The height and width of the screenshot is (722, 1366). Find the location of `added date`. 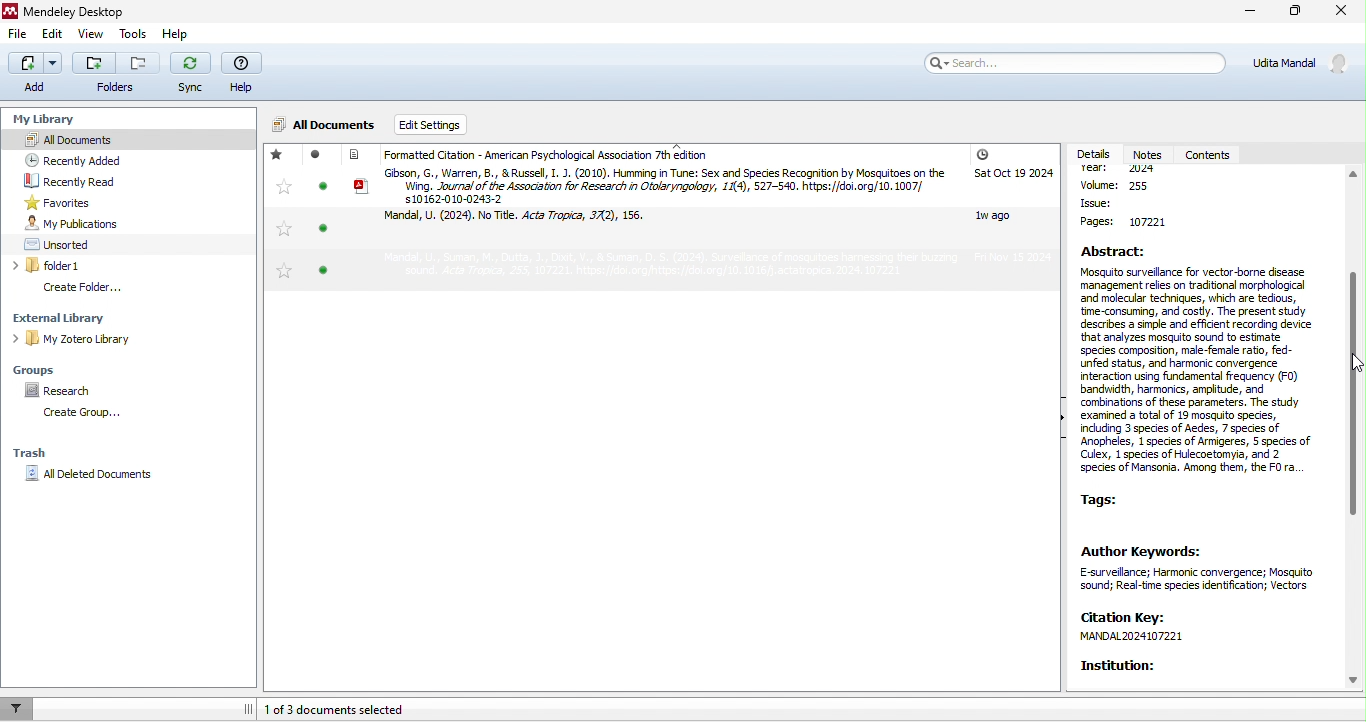

added date is located at coordinates (1012, 207).